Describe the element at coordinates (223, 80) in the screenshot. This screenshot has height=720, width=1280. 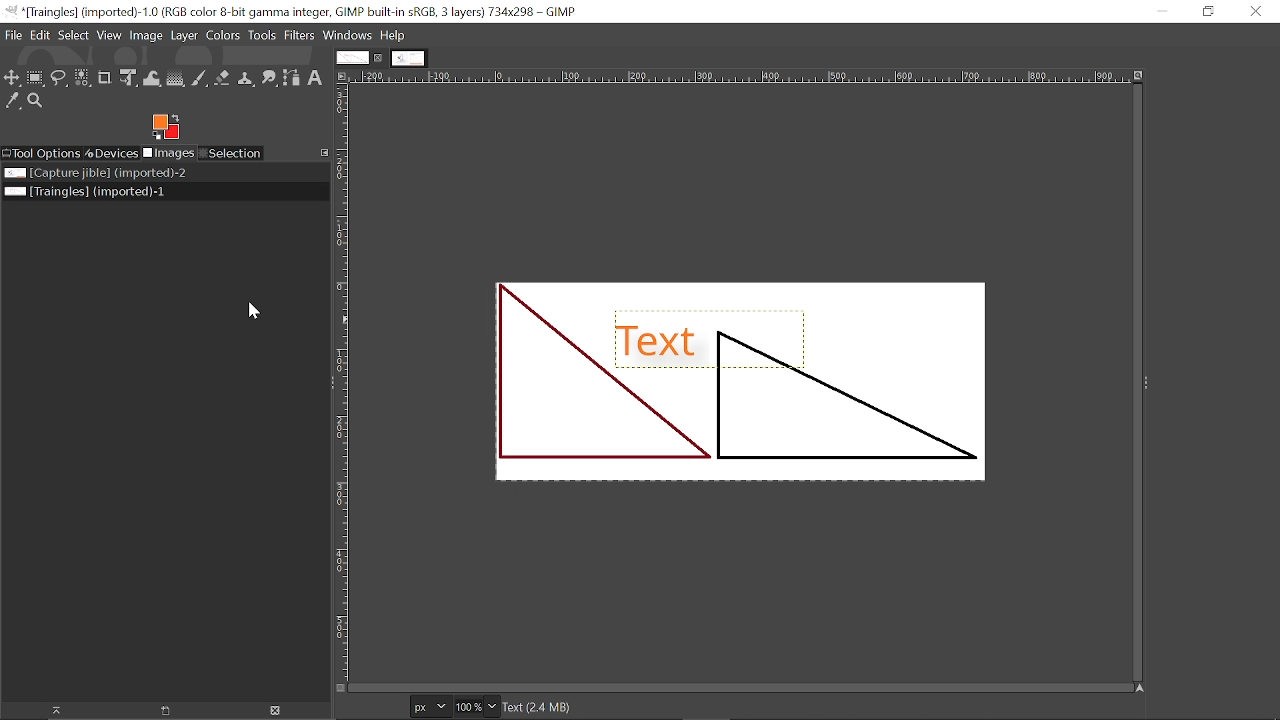
I see `eraser tool` at that location.